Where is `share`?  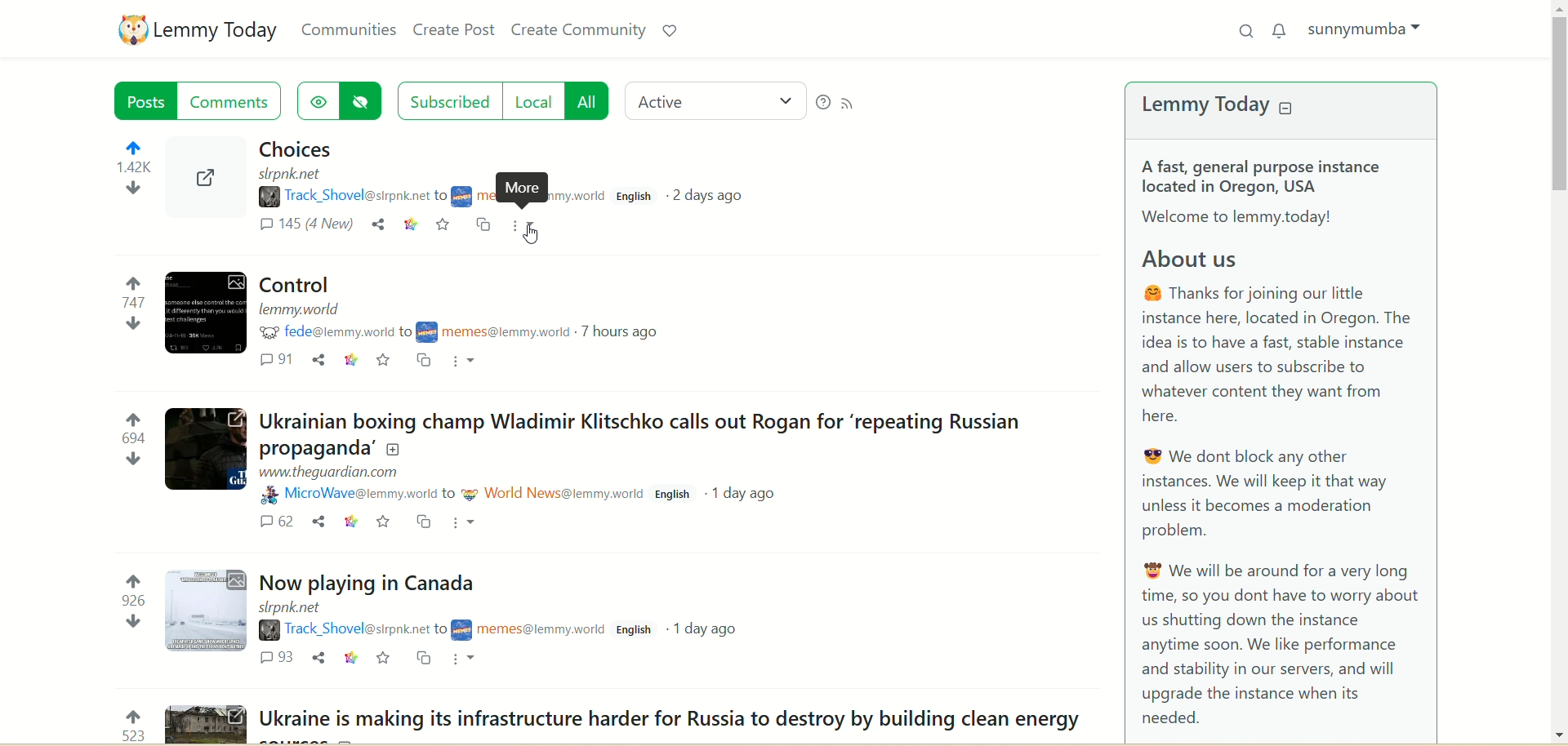 share is located at coordinates (318, 656).